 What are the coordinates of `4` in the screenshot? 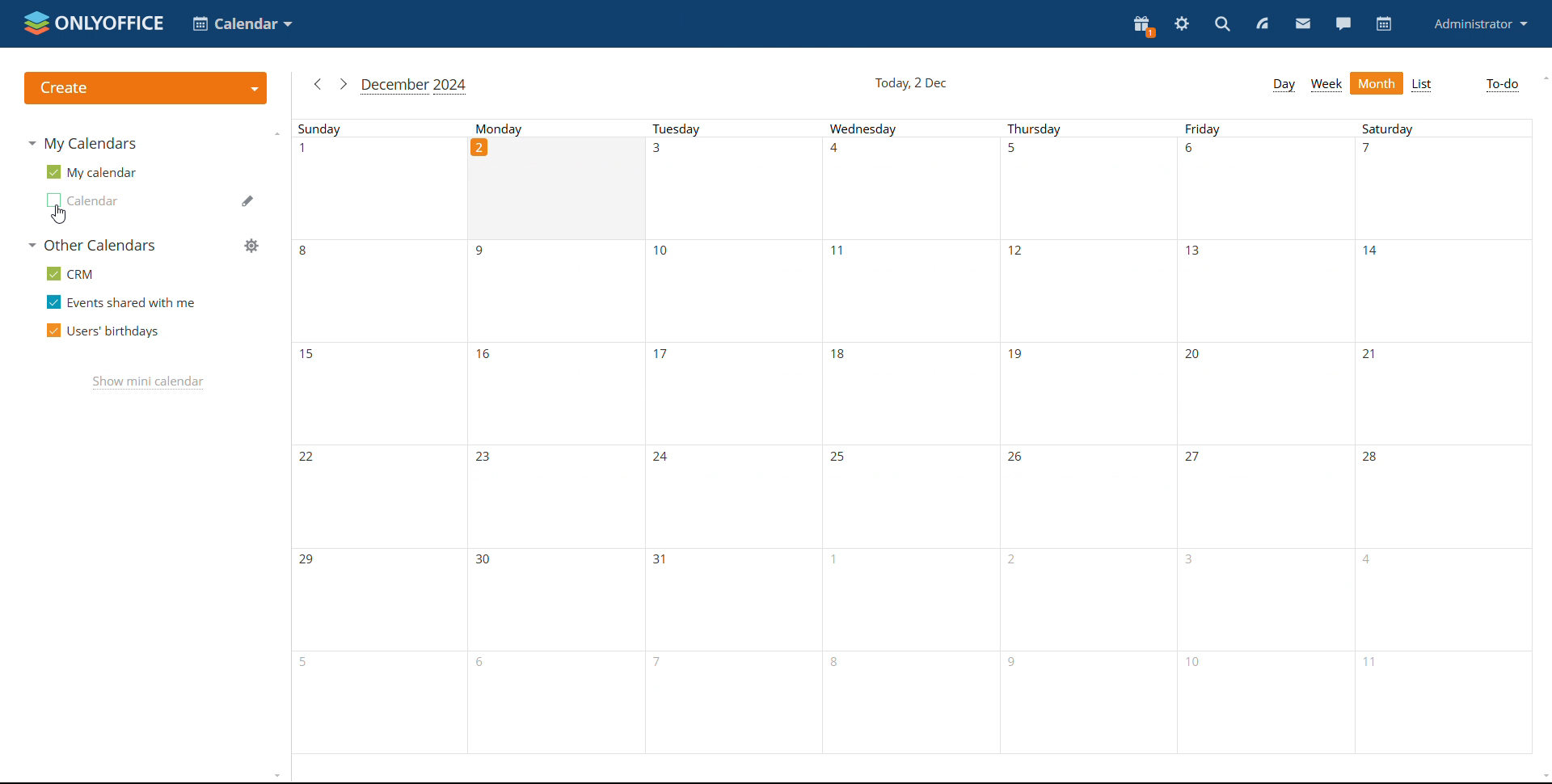 It's located at (1440, 598).